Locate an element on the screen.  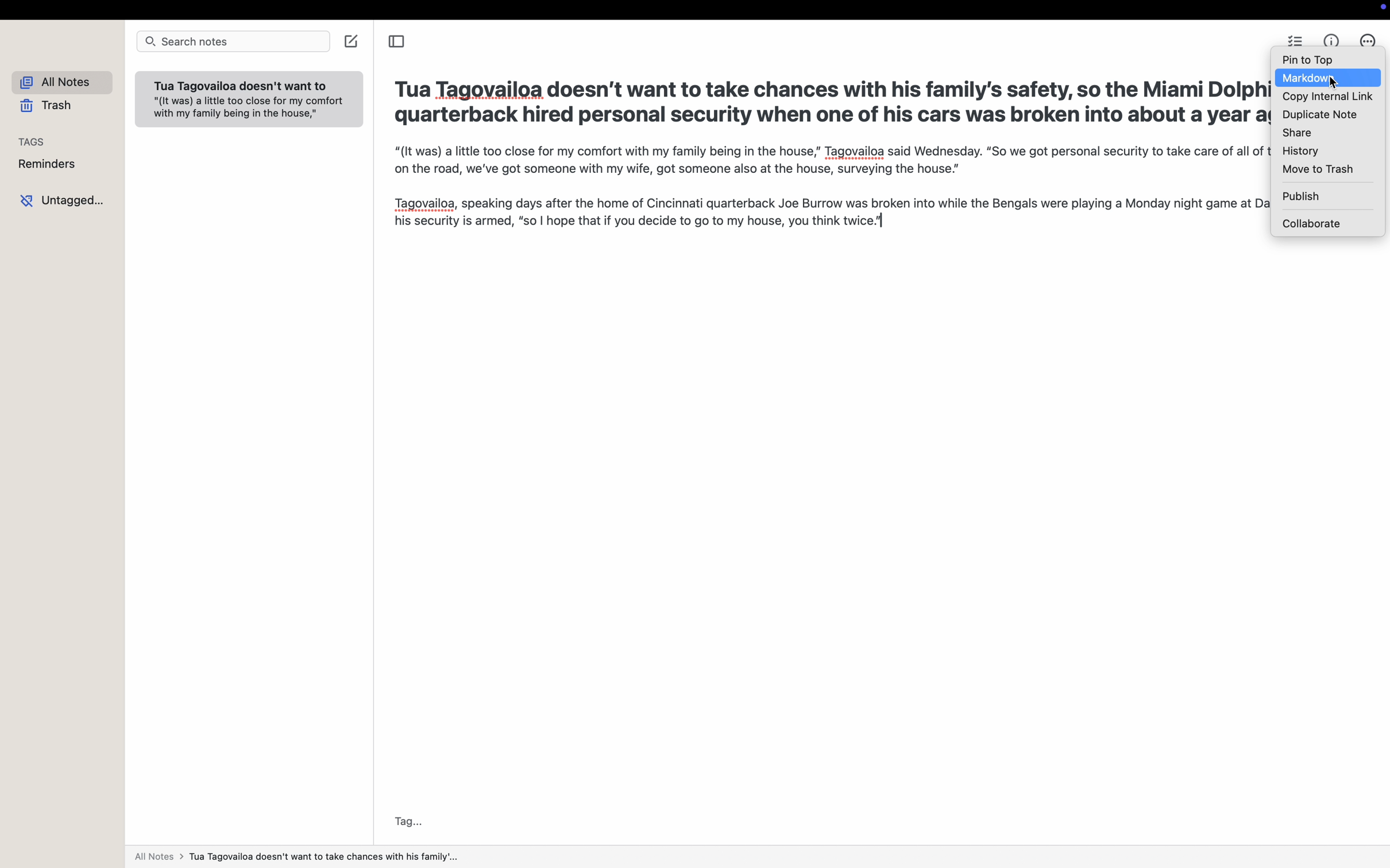
search bar is located at coordinates (231, 41).